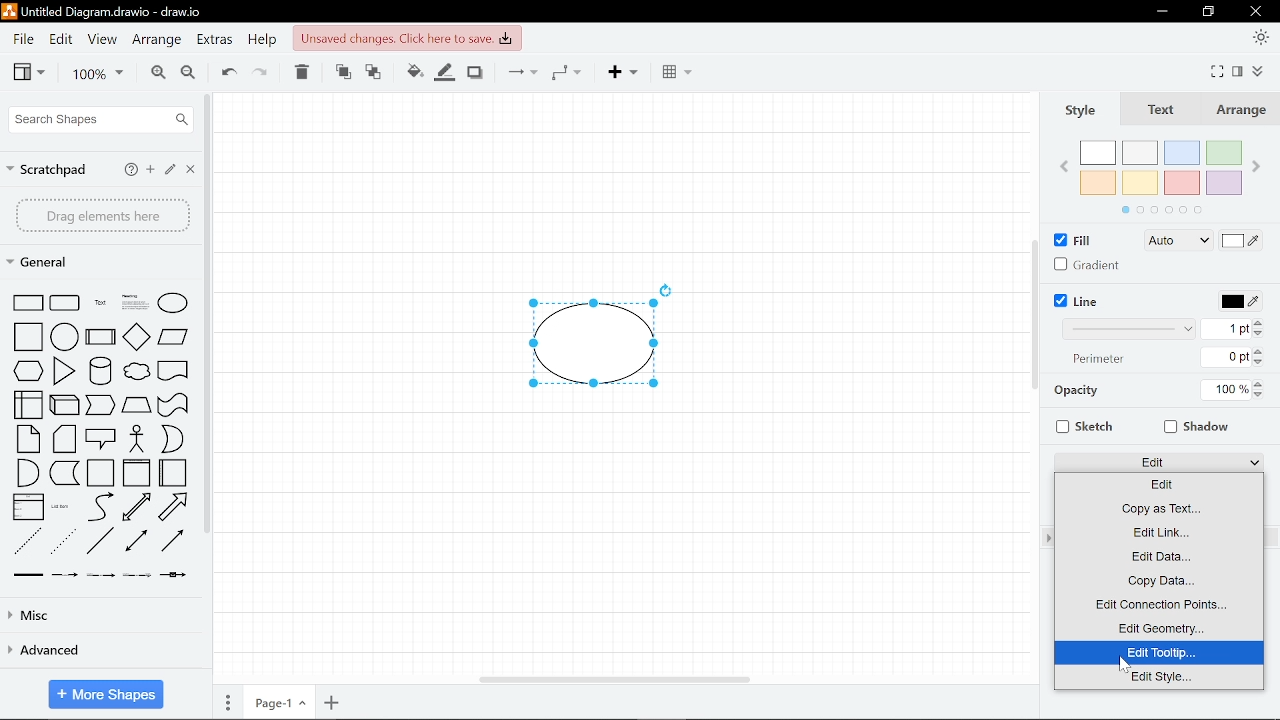  I want to click on To back, so click(375, 72).